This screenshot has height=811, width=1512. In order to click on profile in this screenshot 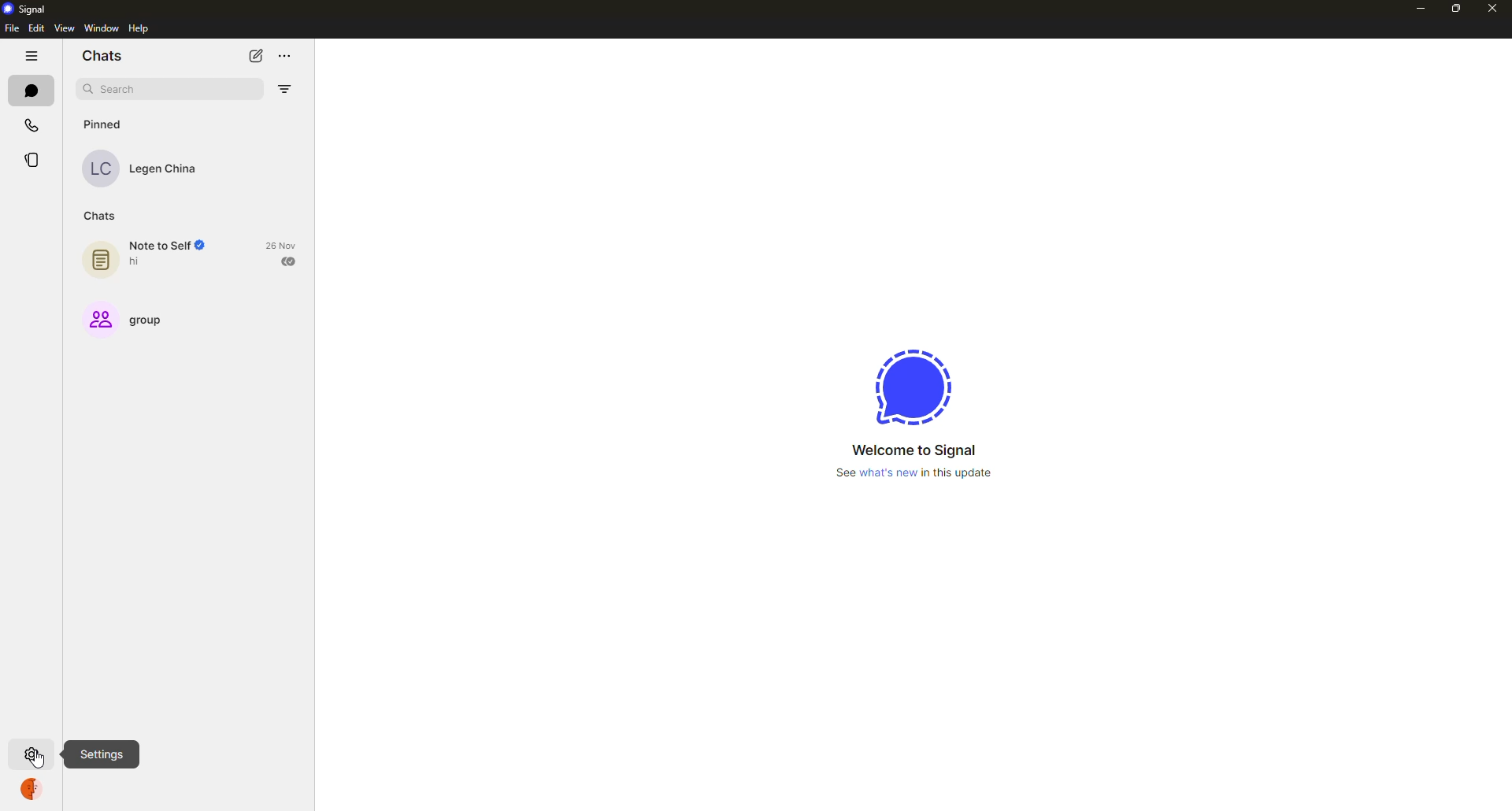, I will do `click(35, 792)`.